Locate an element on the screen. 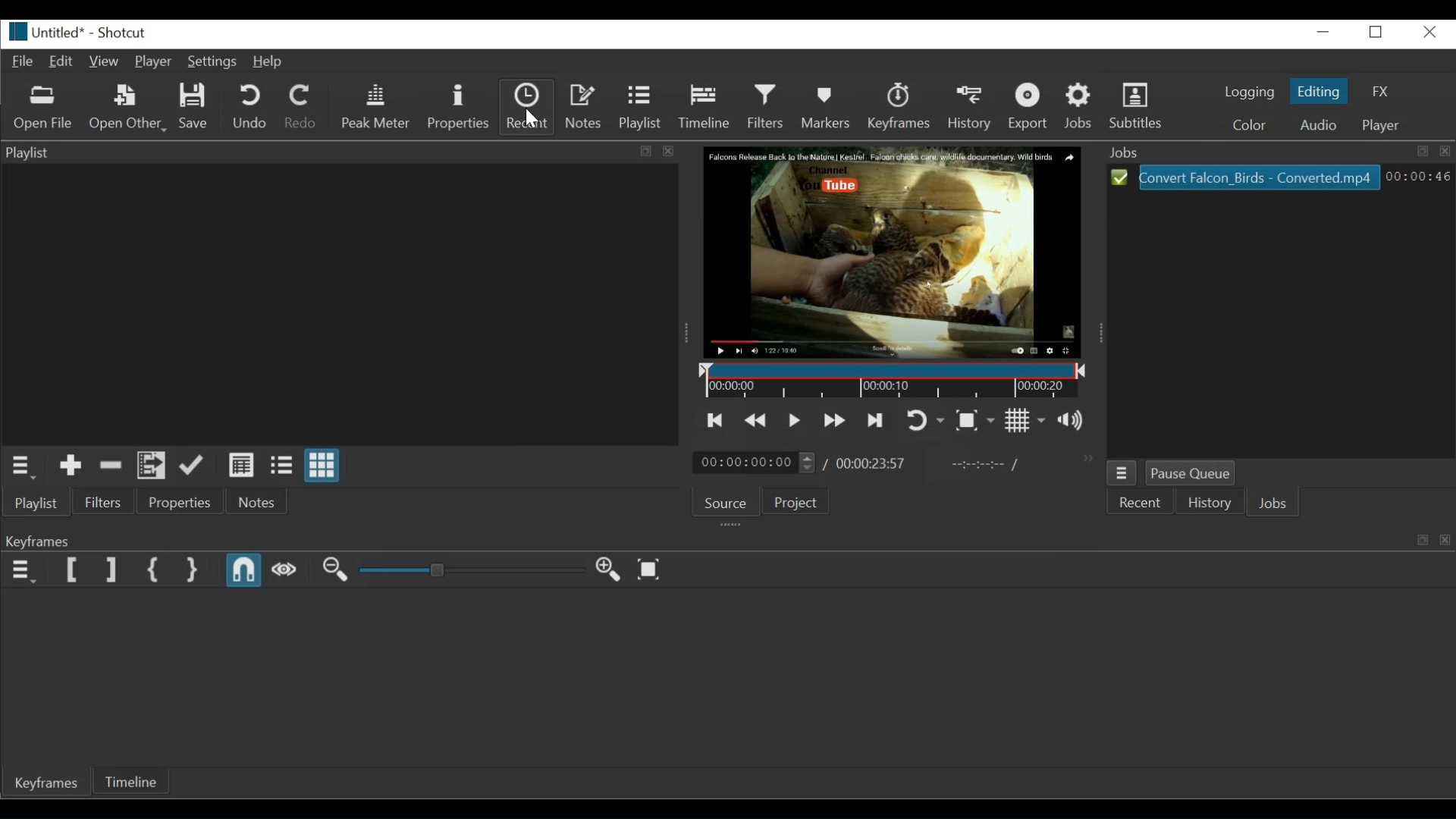 This screenshot has width=1456, height=819. Open Other is located at coordinates (127, 108).